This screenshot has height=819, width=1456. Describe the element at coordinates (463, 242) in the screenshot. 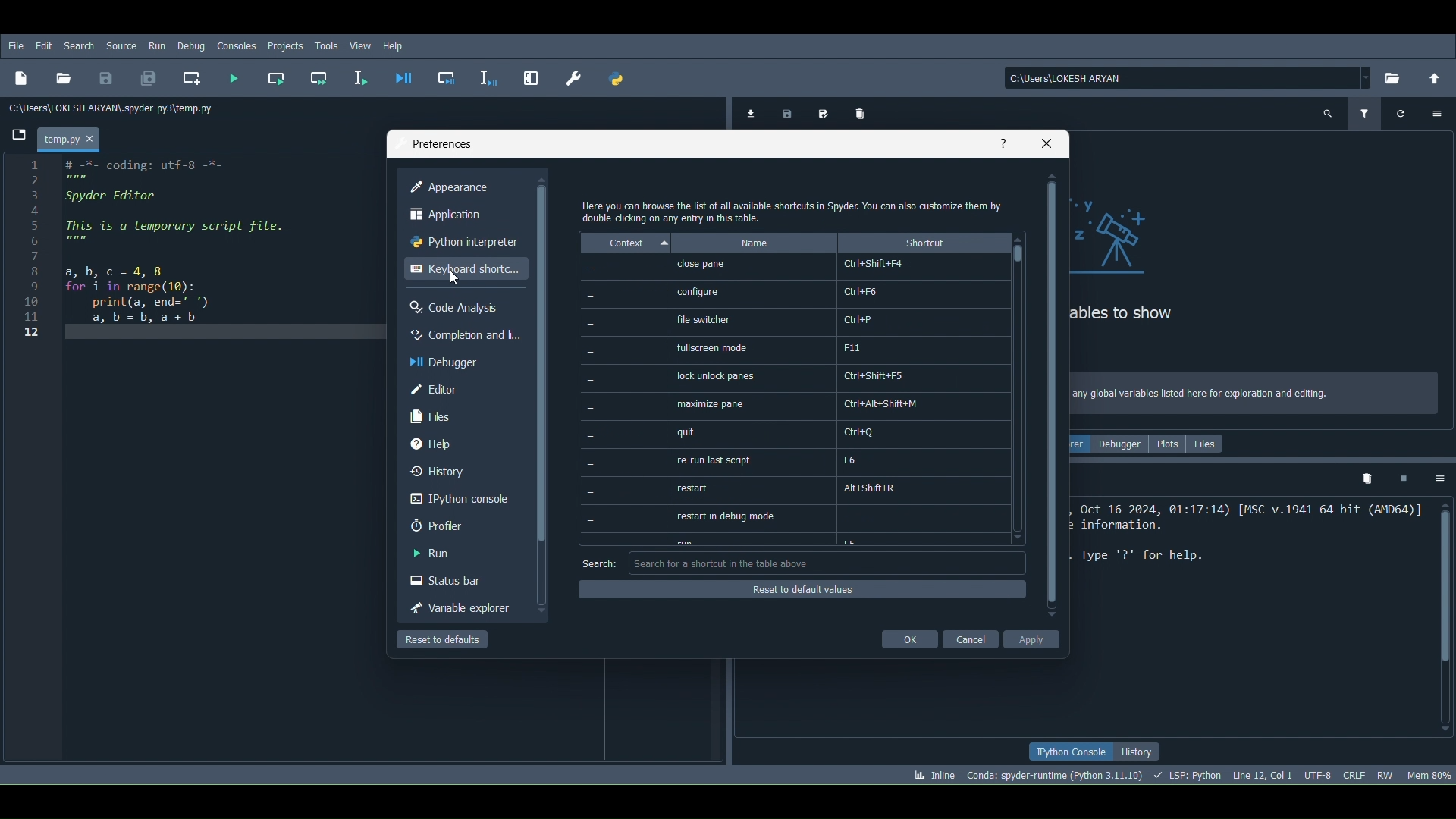

I see `Python Interpreter` at that location.